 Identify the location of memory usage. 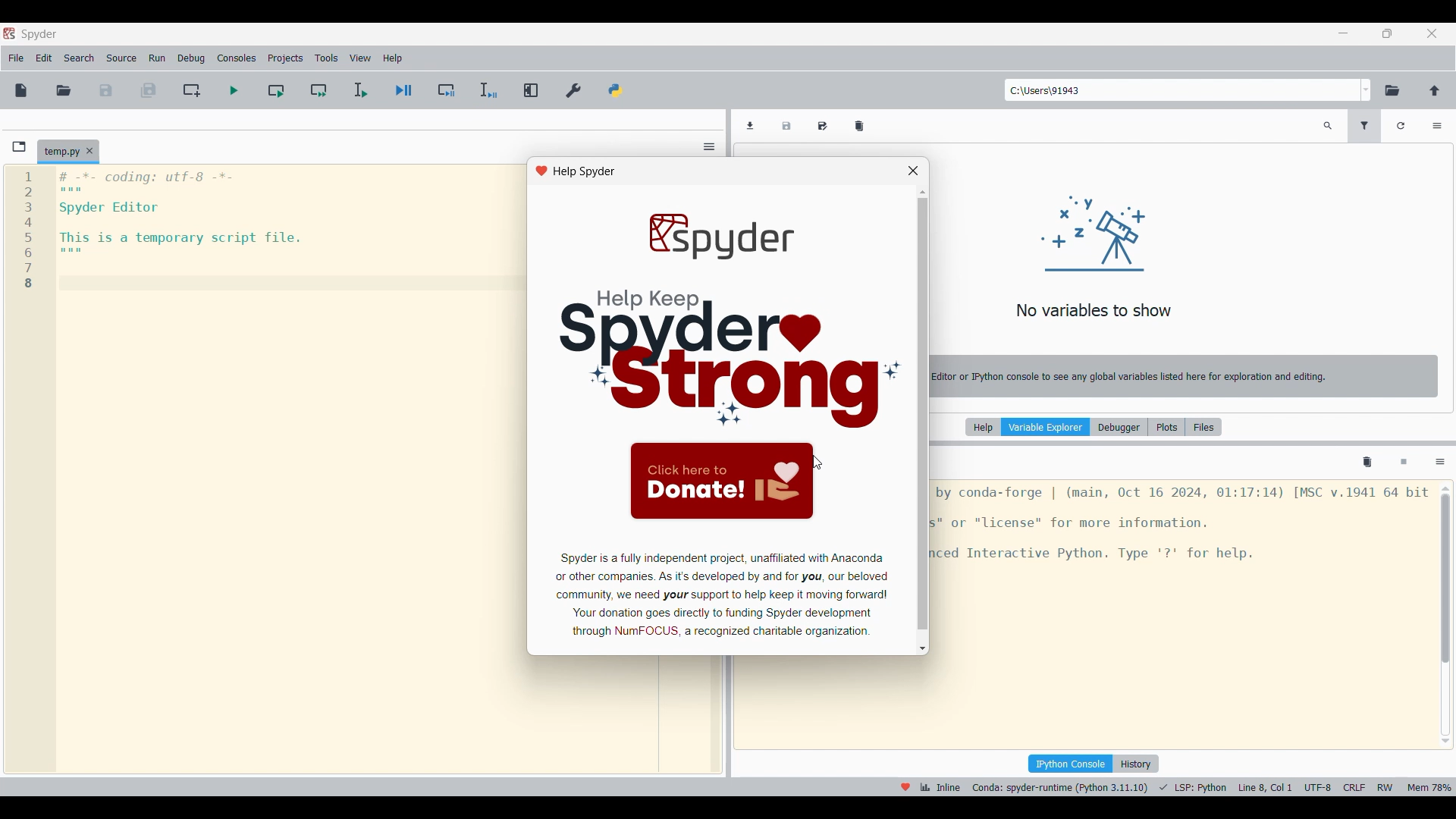
(1432, 786).